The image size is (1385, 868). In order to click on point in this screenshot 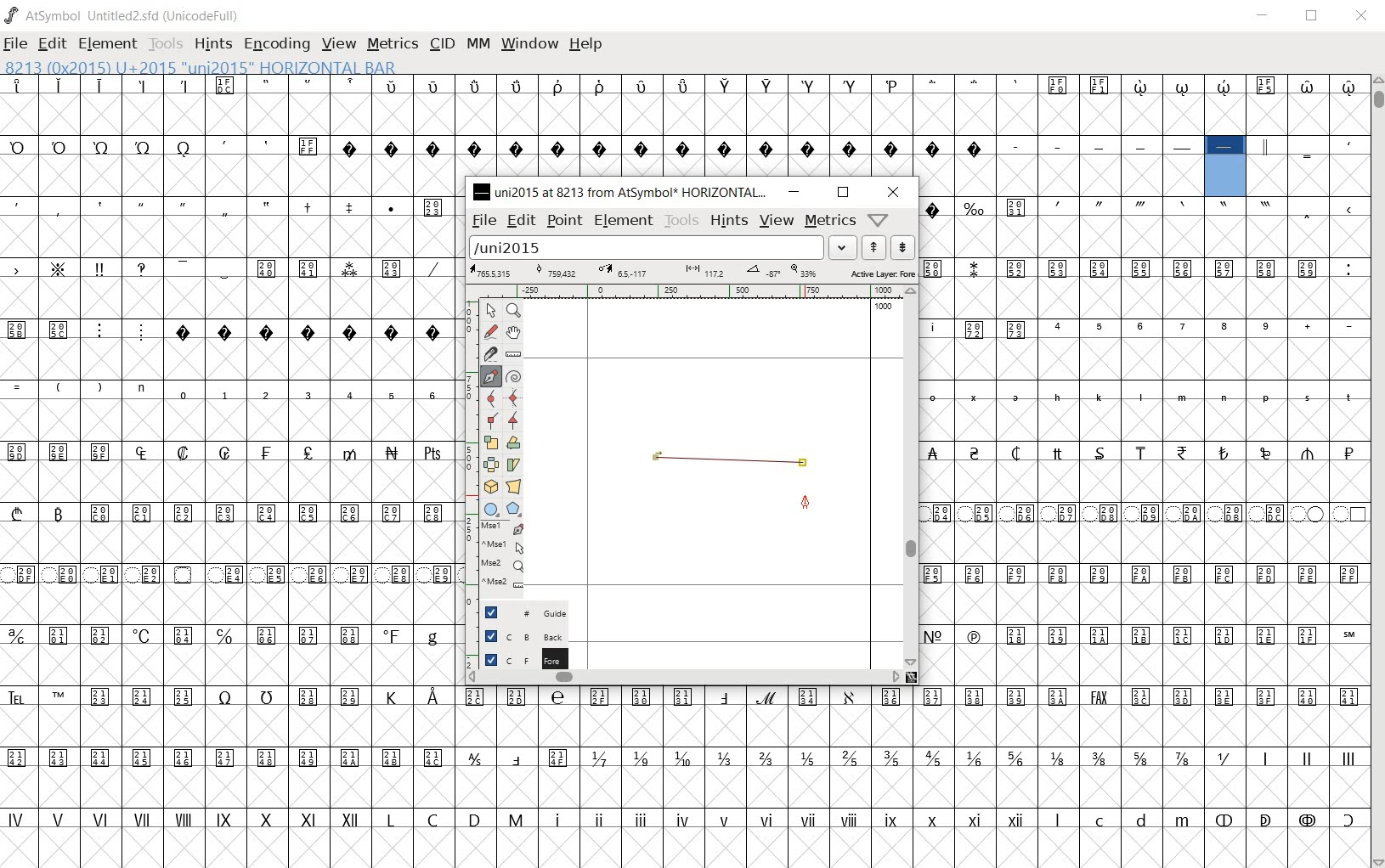, I will do `click(566, 223)`.